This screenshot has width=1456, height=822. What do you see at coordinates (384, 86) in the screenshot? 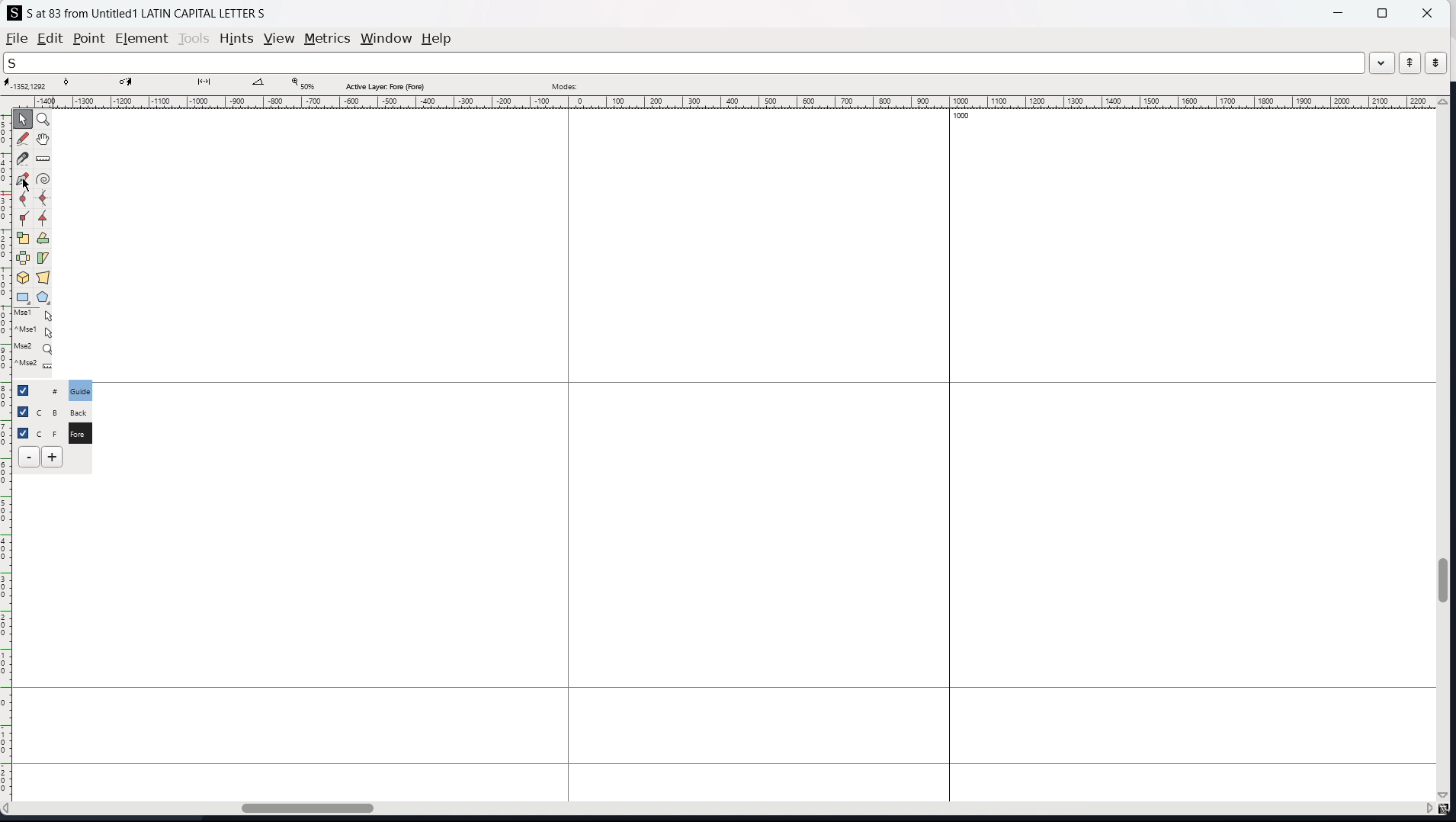
I see `active layer` at bounding box center [384, 86].